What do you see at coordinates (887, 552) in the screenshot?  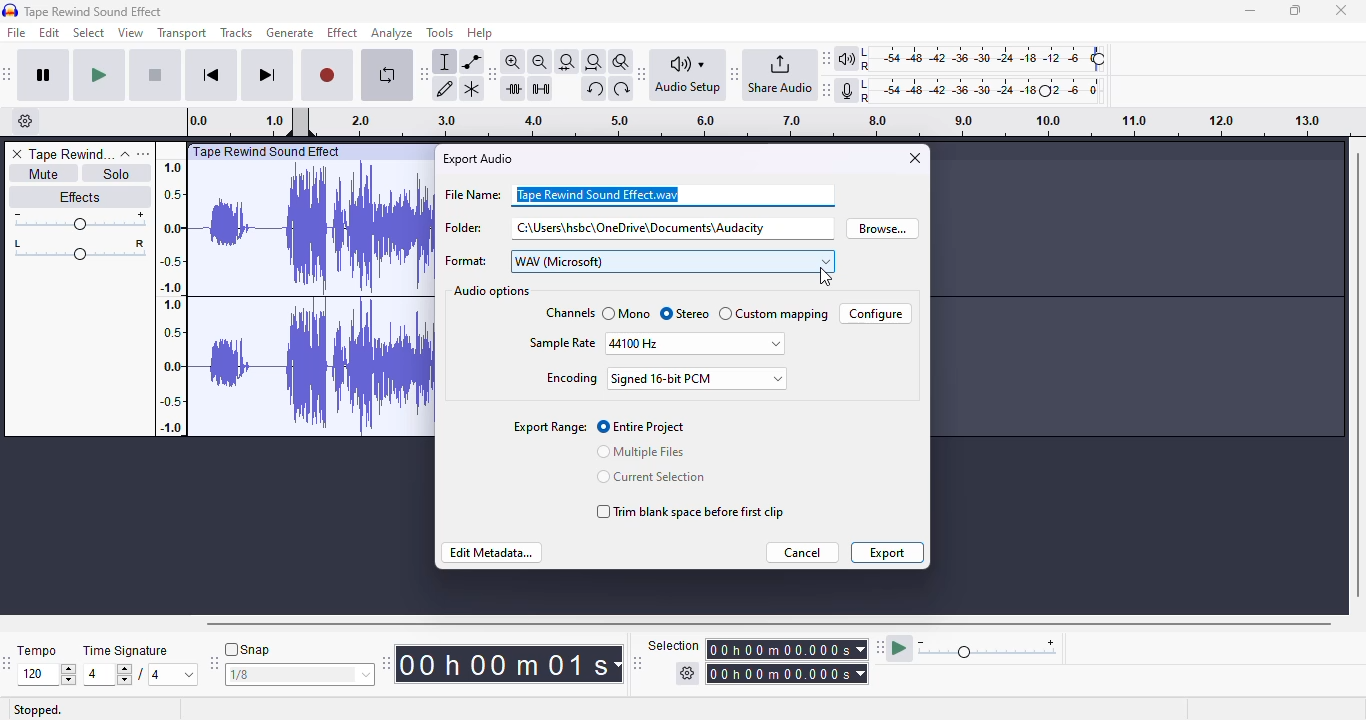 I see `export` at bounding box center [887, 552].